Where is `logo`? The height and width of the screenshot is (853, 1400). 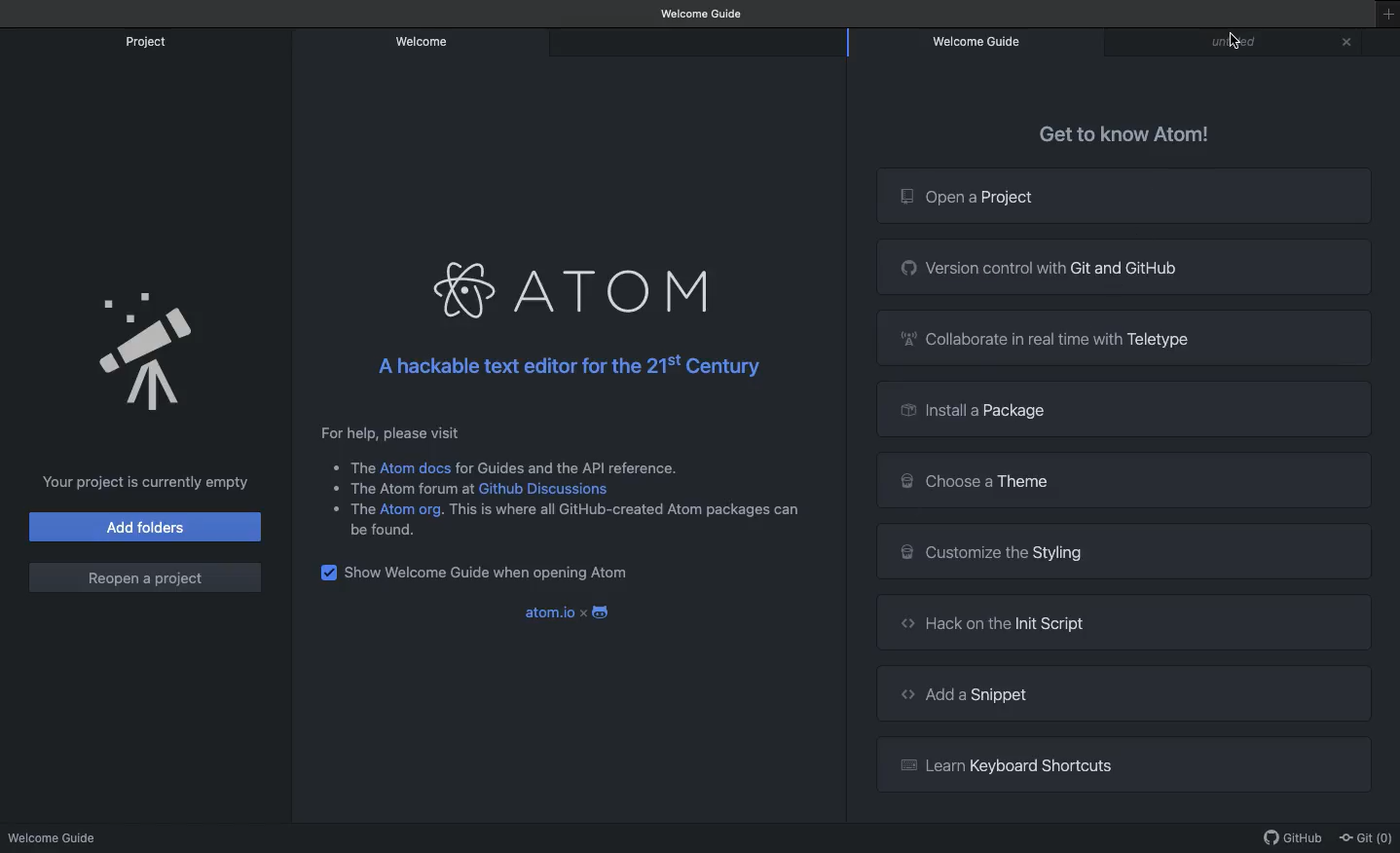
logo is located at coordinates (898, 621).